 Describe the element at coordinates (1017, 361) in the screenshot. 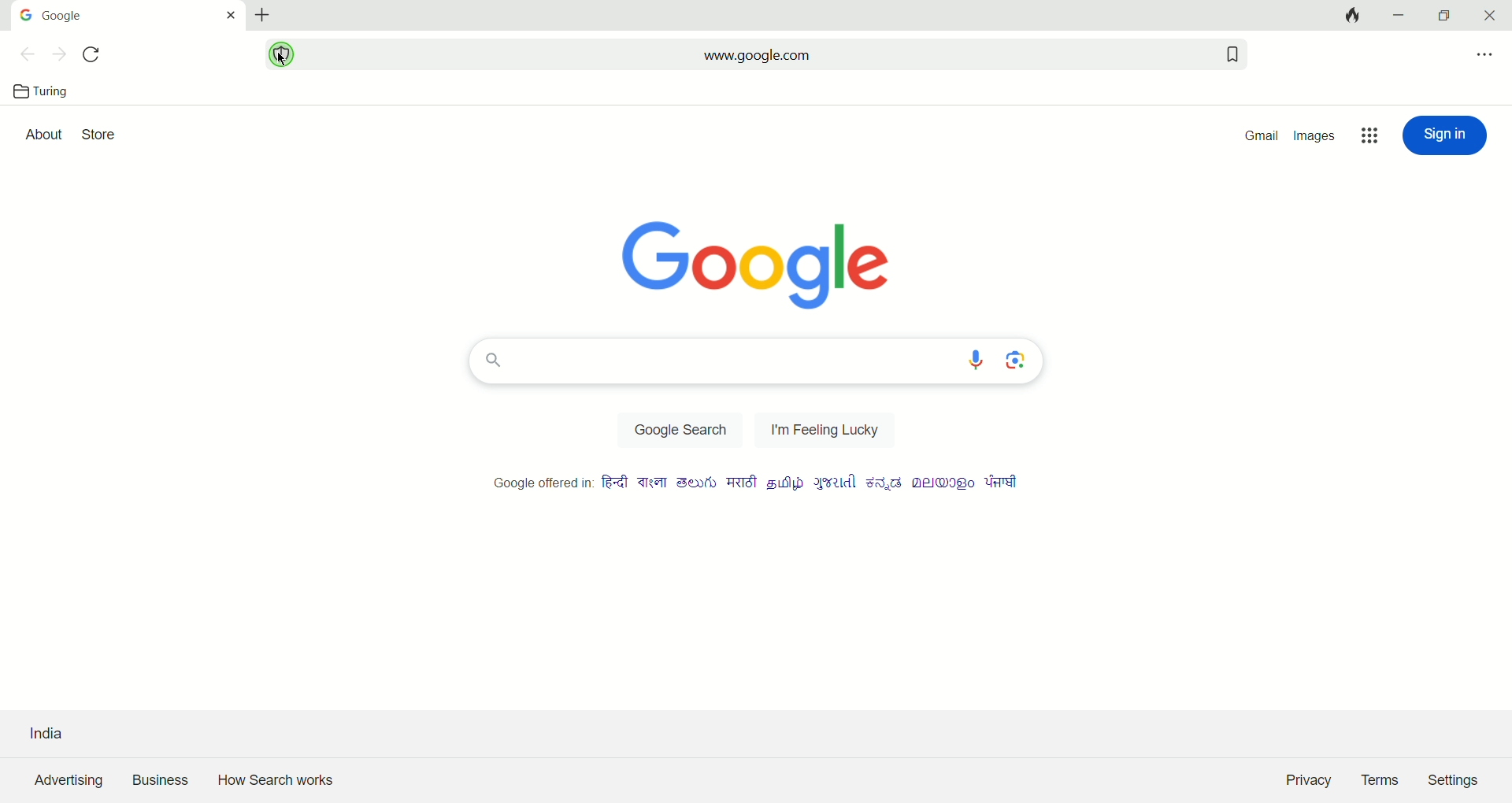

I see `image search` at that location.